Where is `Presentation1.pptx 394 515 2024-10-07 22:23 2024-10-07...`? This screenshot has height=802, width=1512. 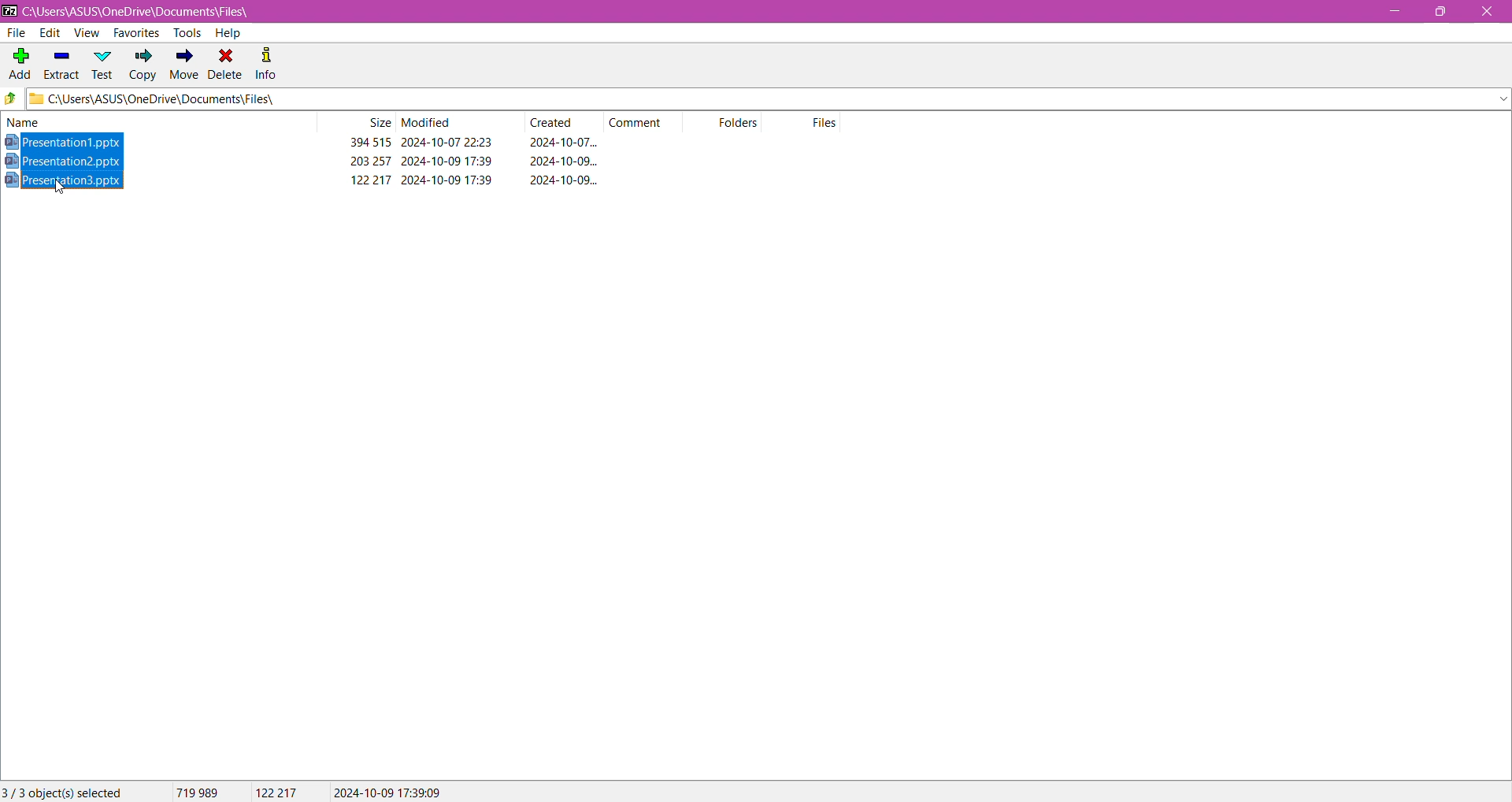
Presentation1.pptx 394 515 2024-10-07 22:23 2024-10-07... is located at coordinates (308, 143).